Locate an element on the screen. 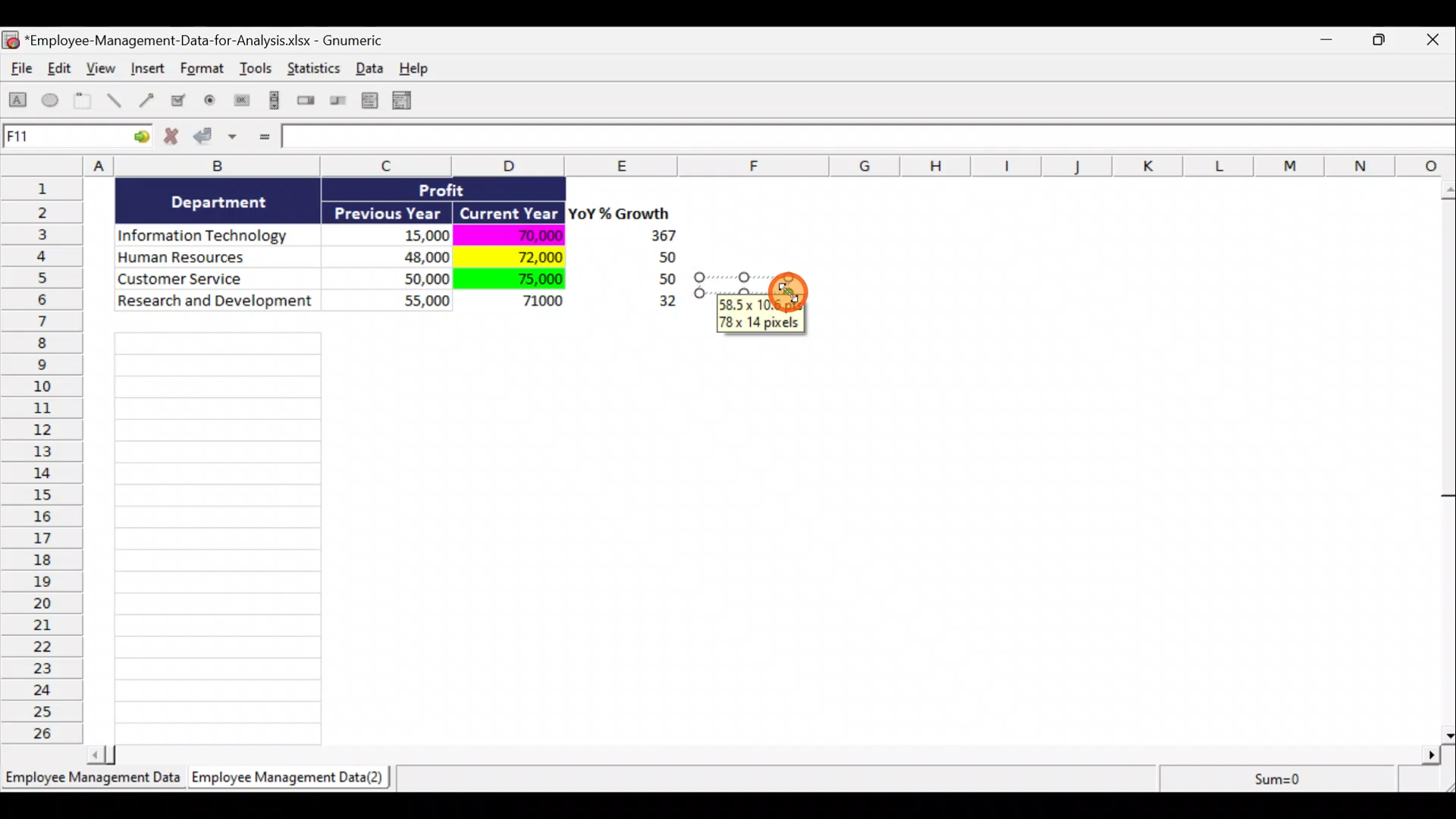 The height and width of the screenshot is (819, 1456). 58.5x 10.6 pts is located at coordinates (763, 304).